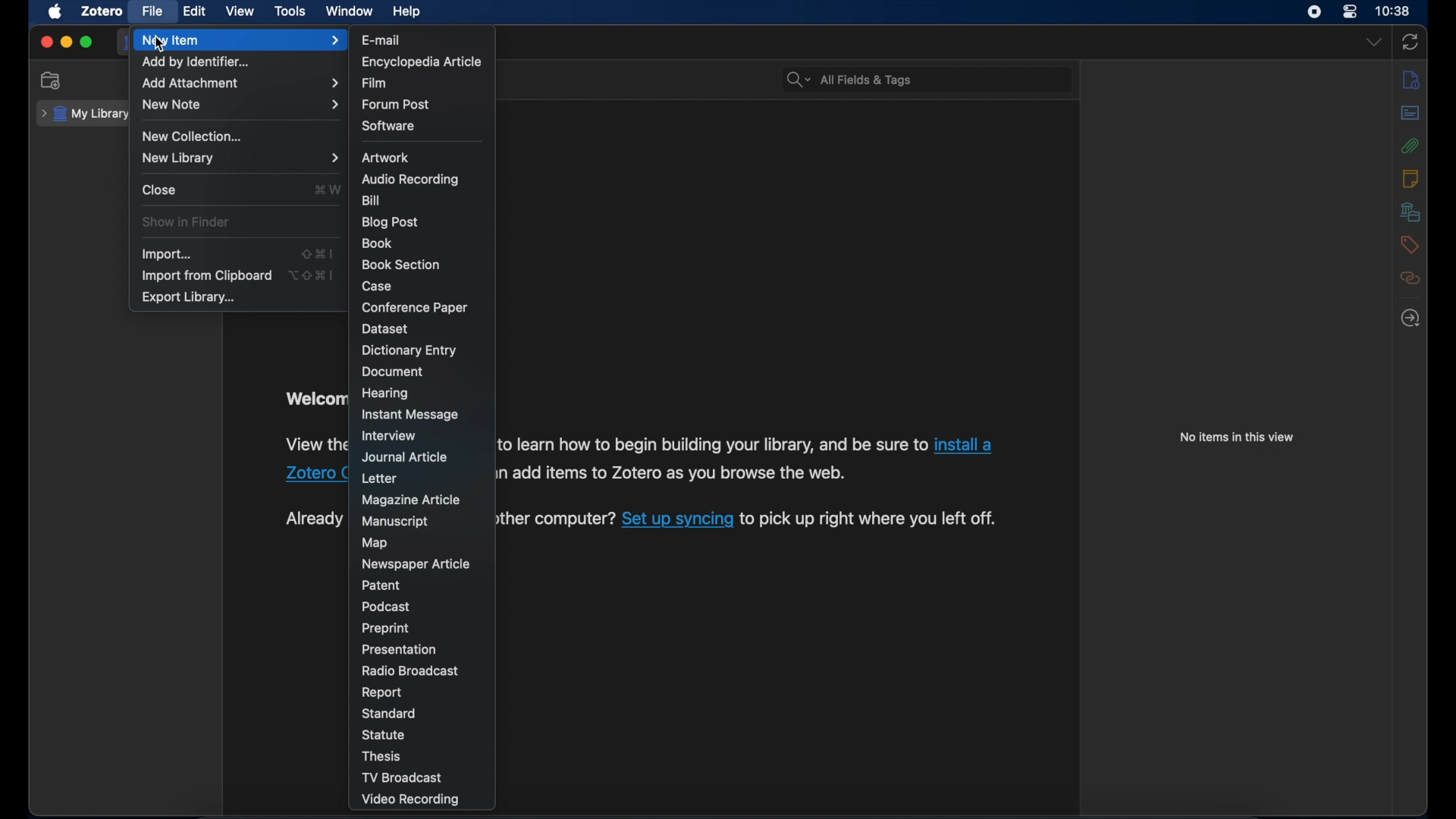 The height and width of the screenshot is (819, 1456). I want to click on dataset, so click(388, 329).